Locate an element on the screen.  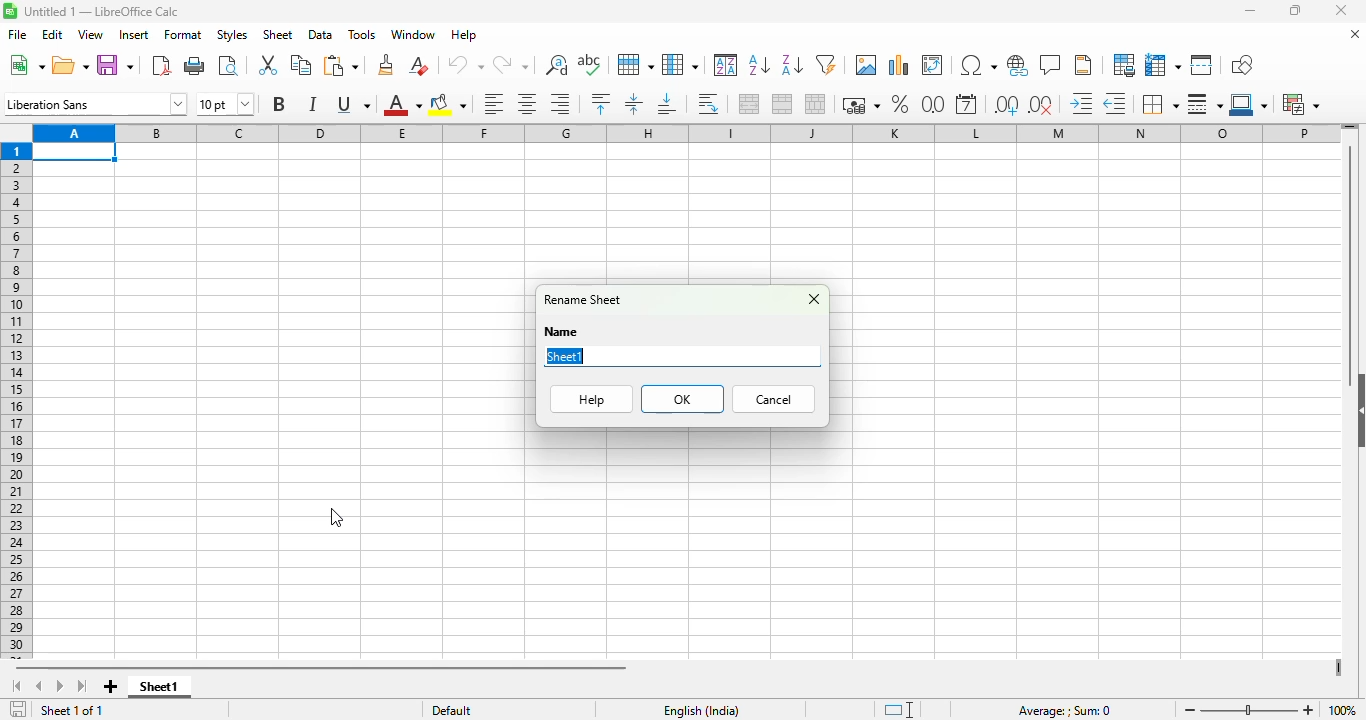
name is located at coordinates (561, 332).